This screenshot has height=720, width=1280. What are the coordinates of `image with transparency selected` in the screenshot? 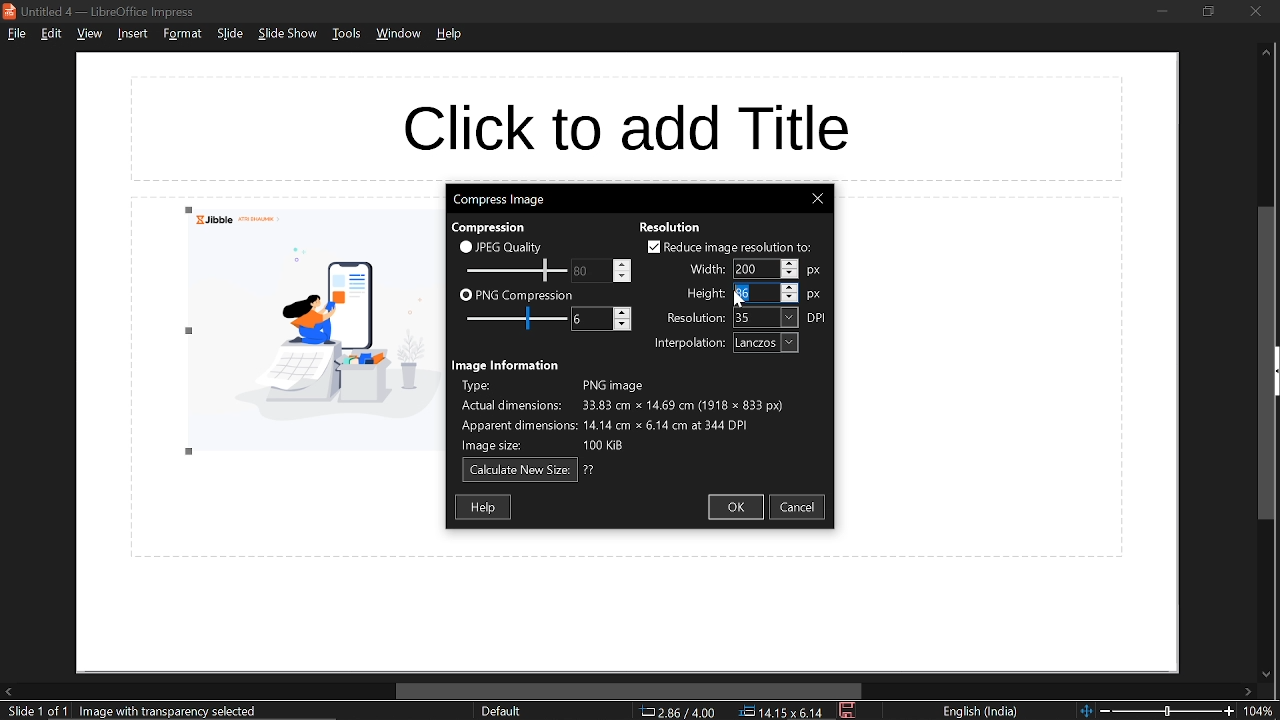 It's located at (174, 711).